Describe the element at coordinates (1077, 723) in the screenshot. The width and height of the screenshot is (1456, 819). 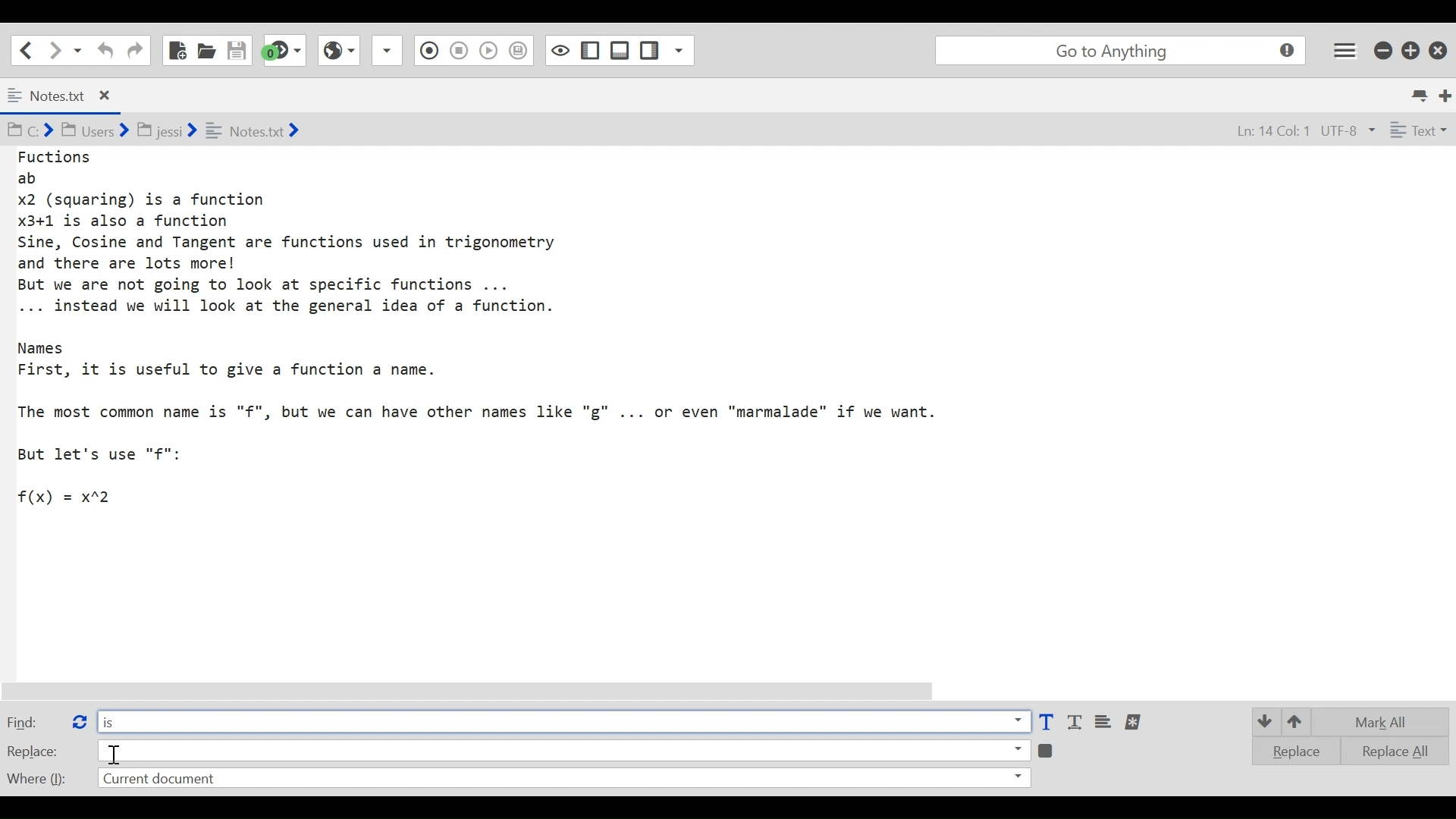
I see `Match whole case` at that location.